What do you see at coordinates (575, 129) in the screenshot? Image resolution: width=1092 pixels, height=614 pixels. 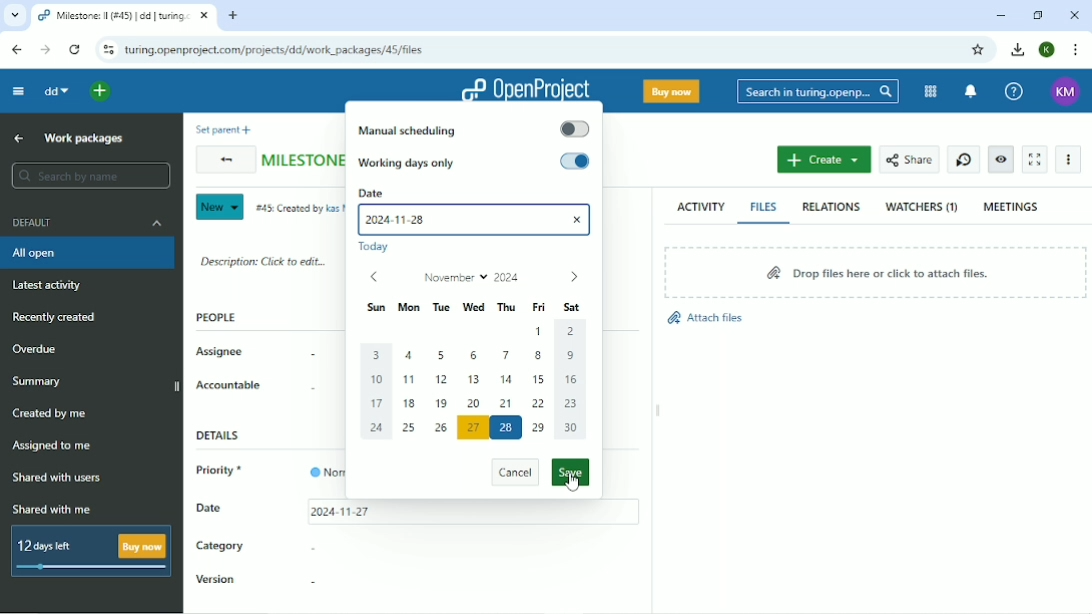 I see `toggle` at bounding box center [575, 129].